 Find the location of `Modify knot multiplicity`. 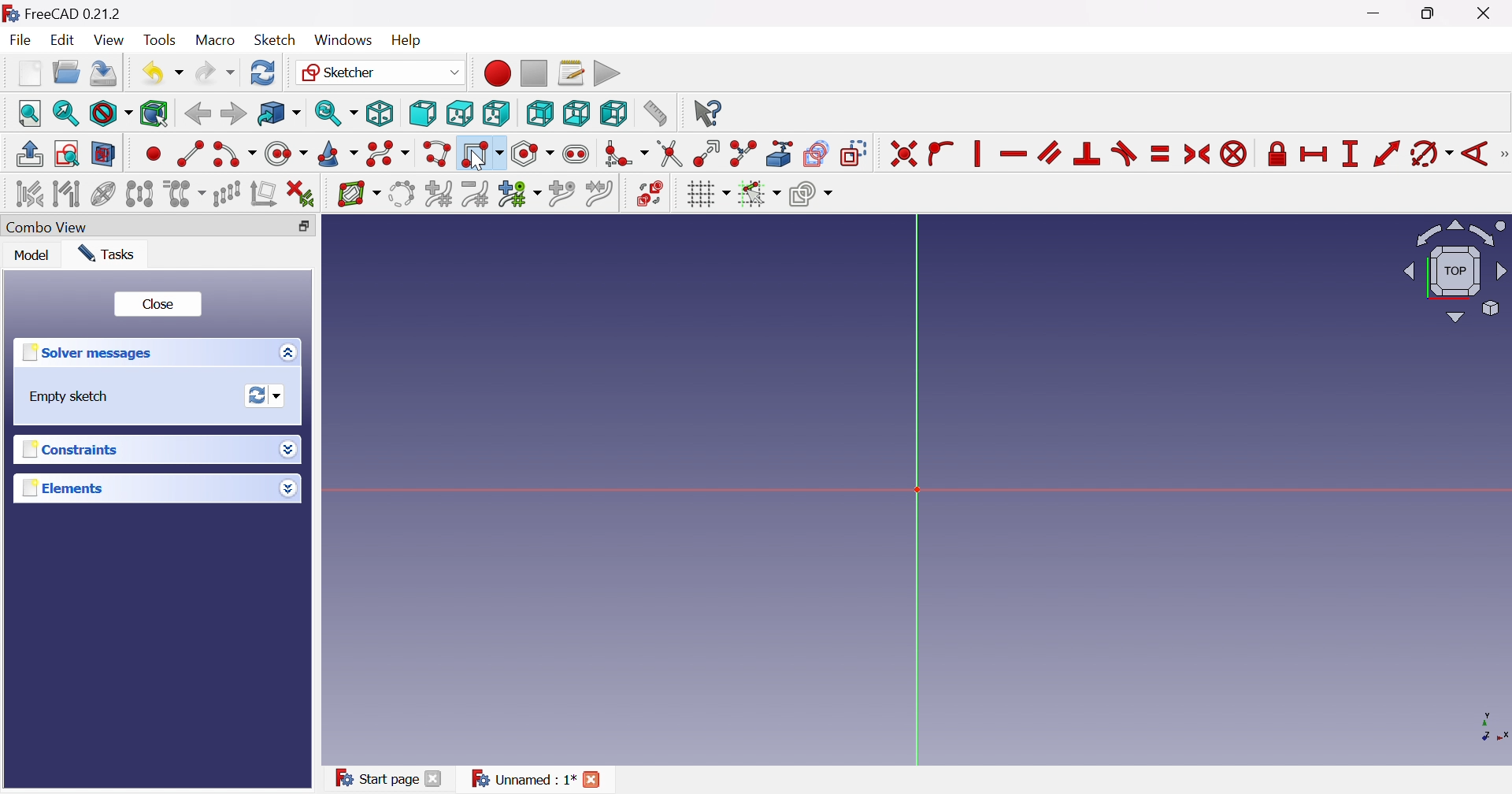

Modify knot multiplicity is located at coordinates (519, 193).